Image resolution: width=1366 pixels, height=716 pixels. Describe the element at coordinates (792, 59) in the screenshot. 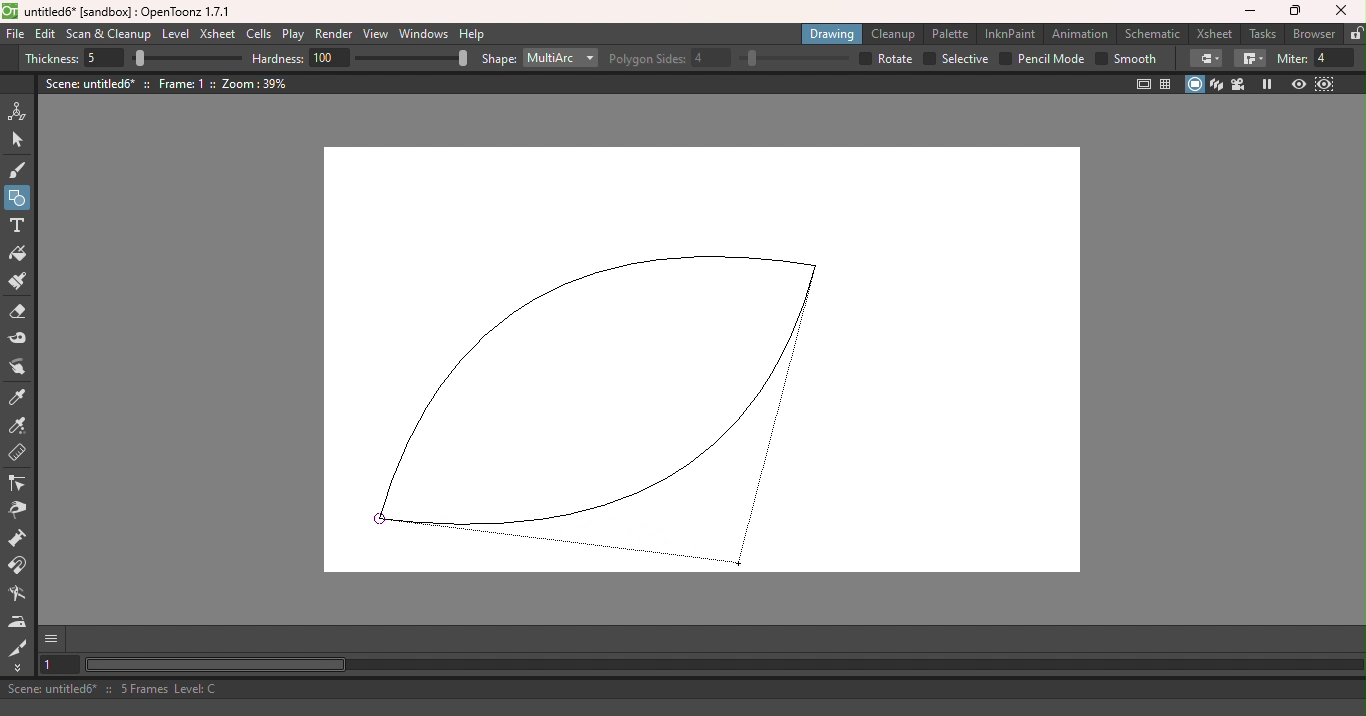

I see `Polygon sides bar` at that location.